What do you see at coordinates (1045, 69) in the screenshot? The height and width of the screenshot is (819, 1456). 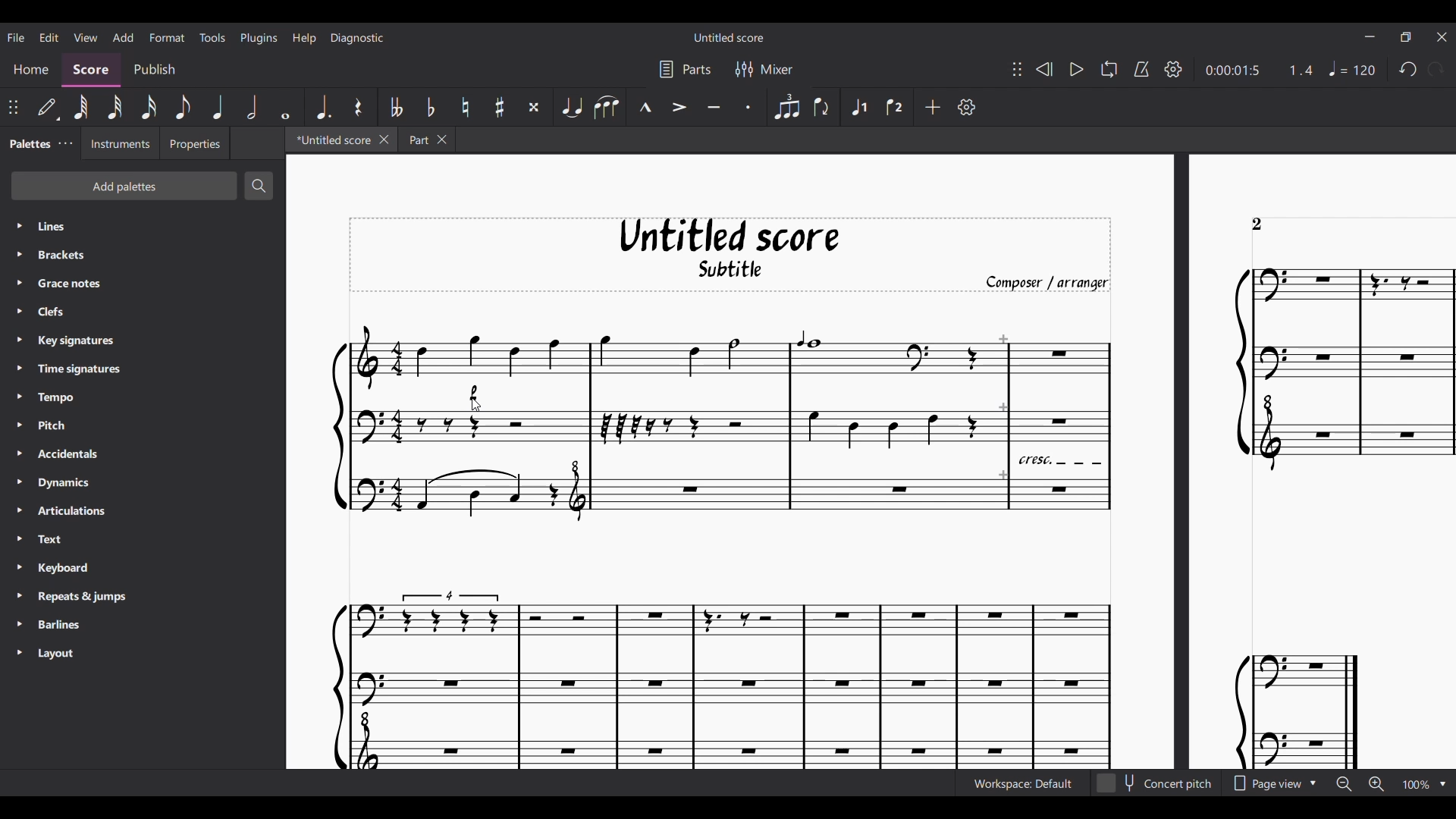 I see `Rewind` at bounding box center [1045, 69].